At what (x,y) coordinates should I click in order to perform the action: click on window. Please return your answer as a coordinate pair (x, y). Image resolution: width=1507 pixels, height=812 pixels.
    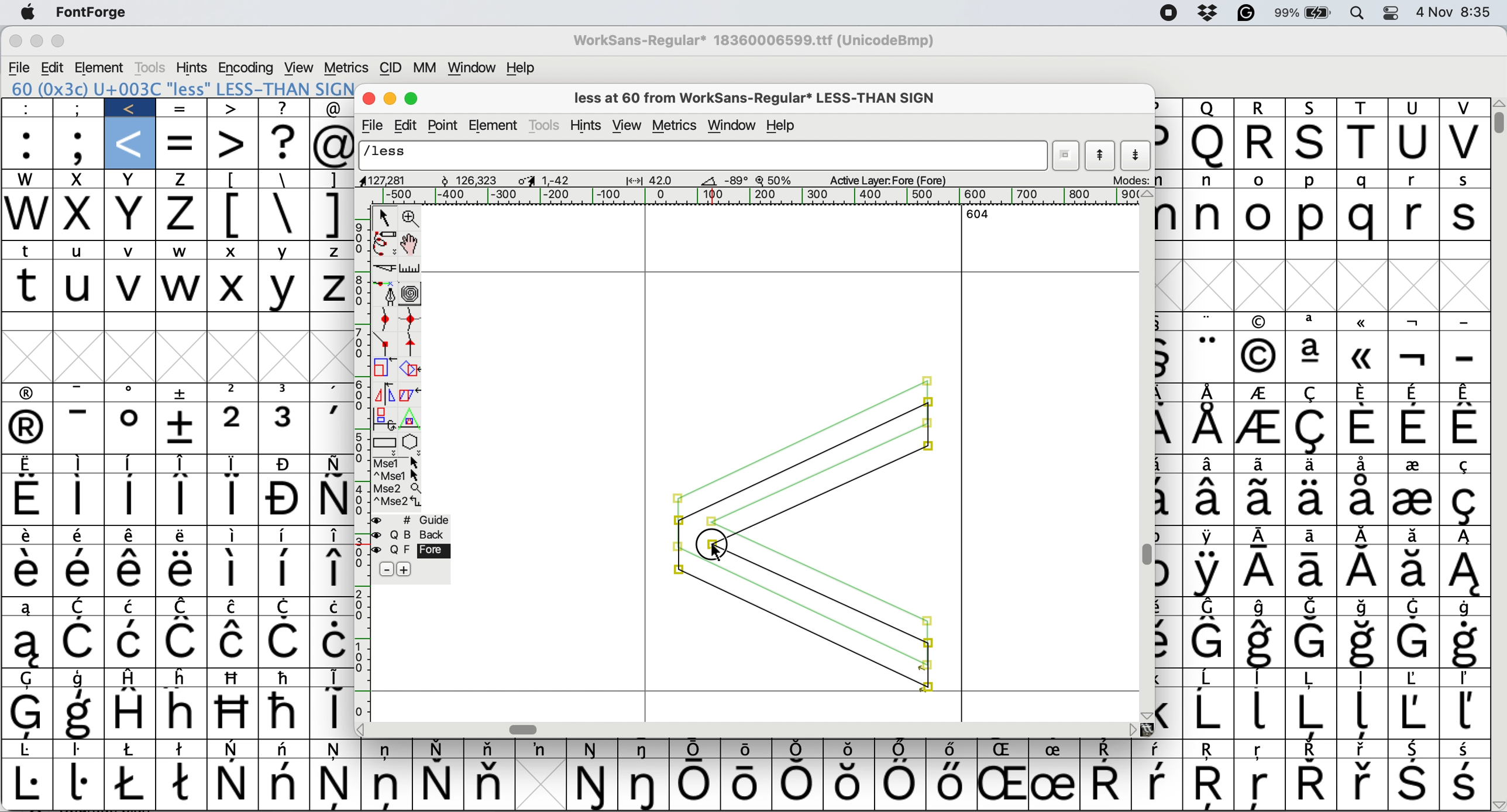
    Looking at the image, I should click on (473, 67).